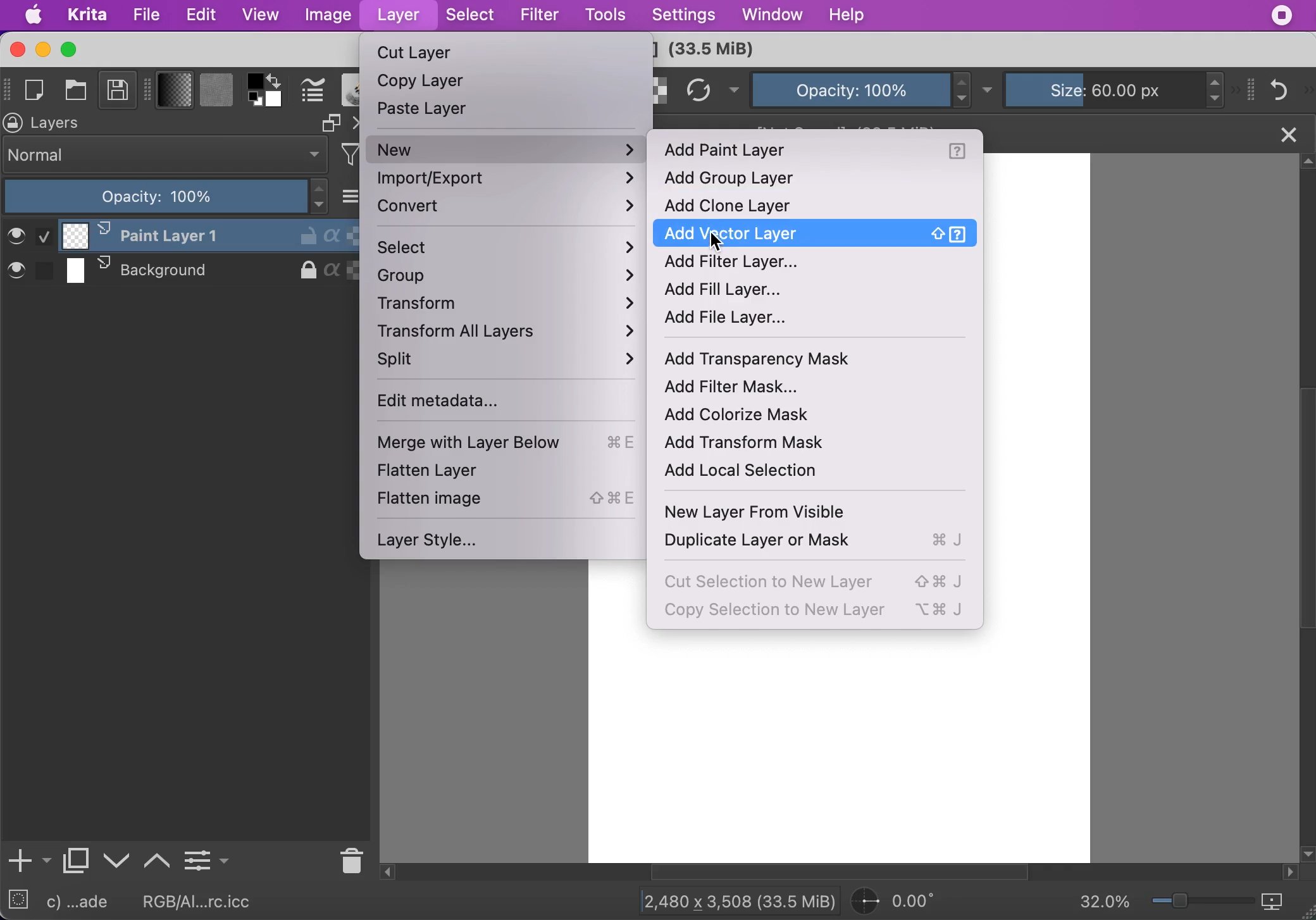  I want to click on duplicate layer or mask, so click(822, 542).